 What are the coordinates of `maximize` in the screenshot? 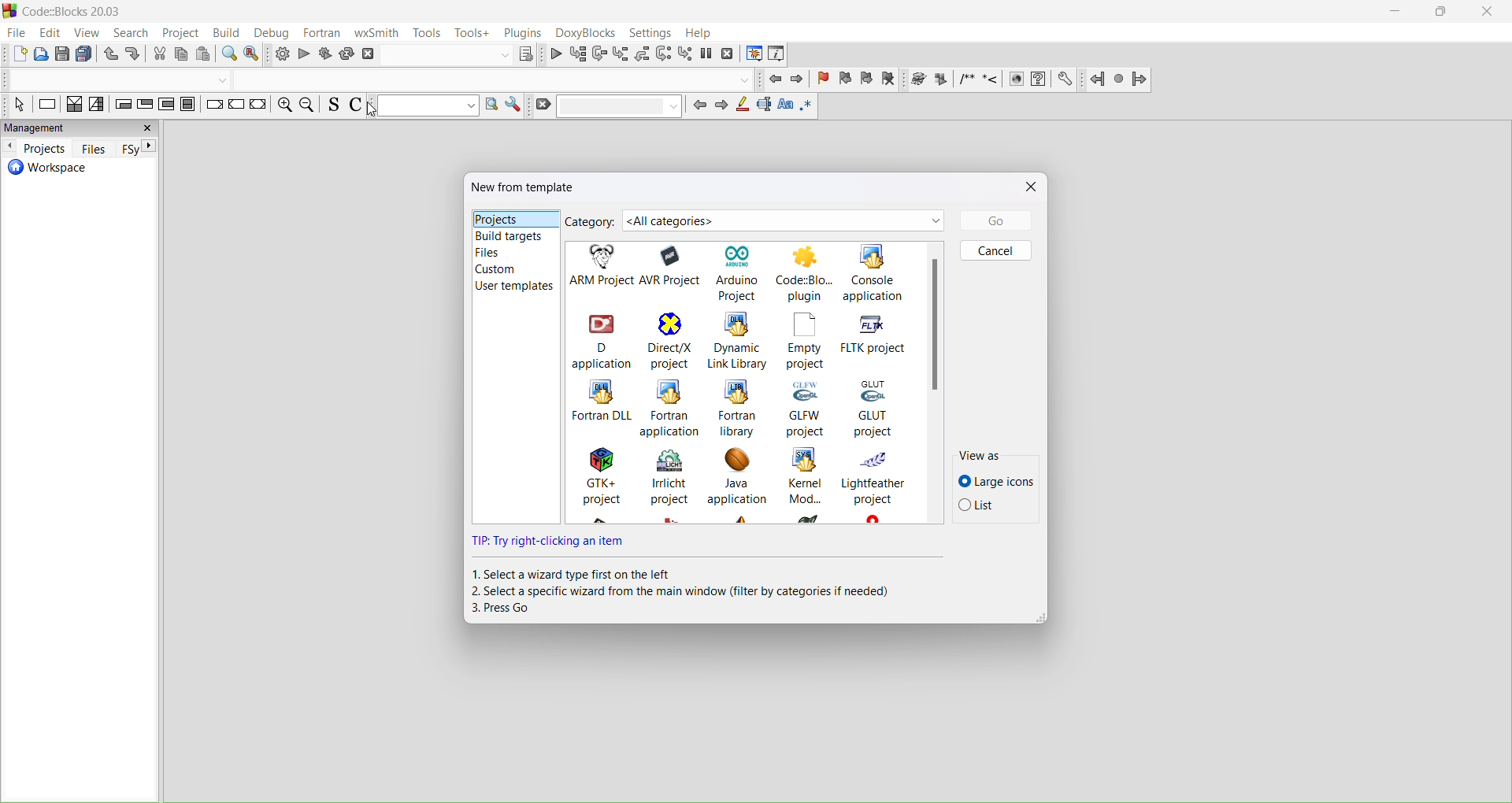 It's located at (1441, 13).